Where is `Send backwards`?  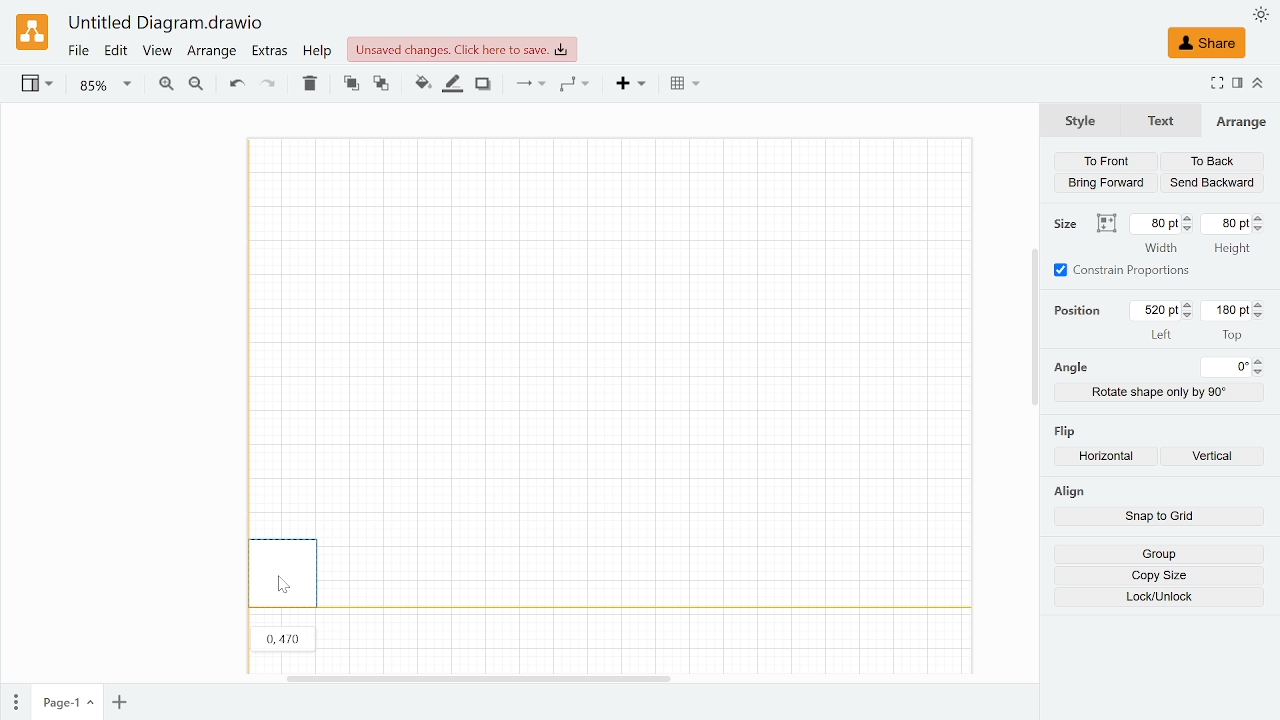
Send backwards is located at coordinates (1212, 183).